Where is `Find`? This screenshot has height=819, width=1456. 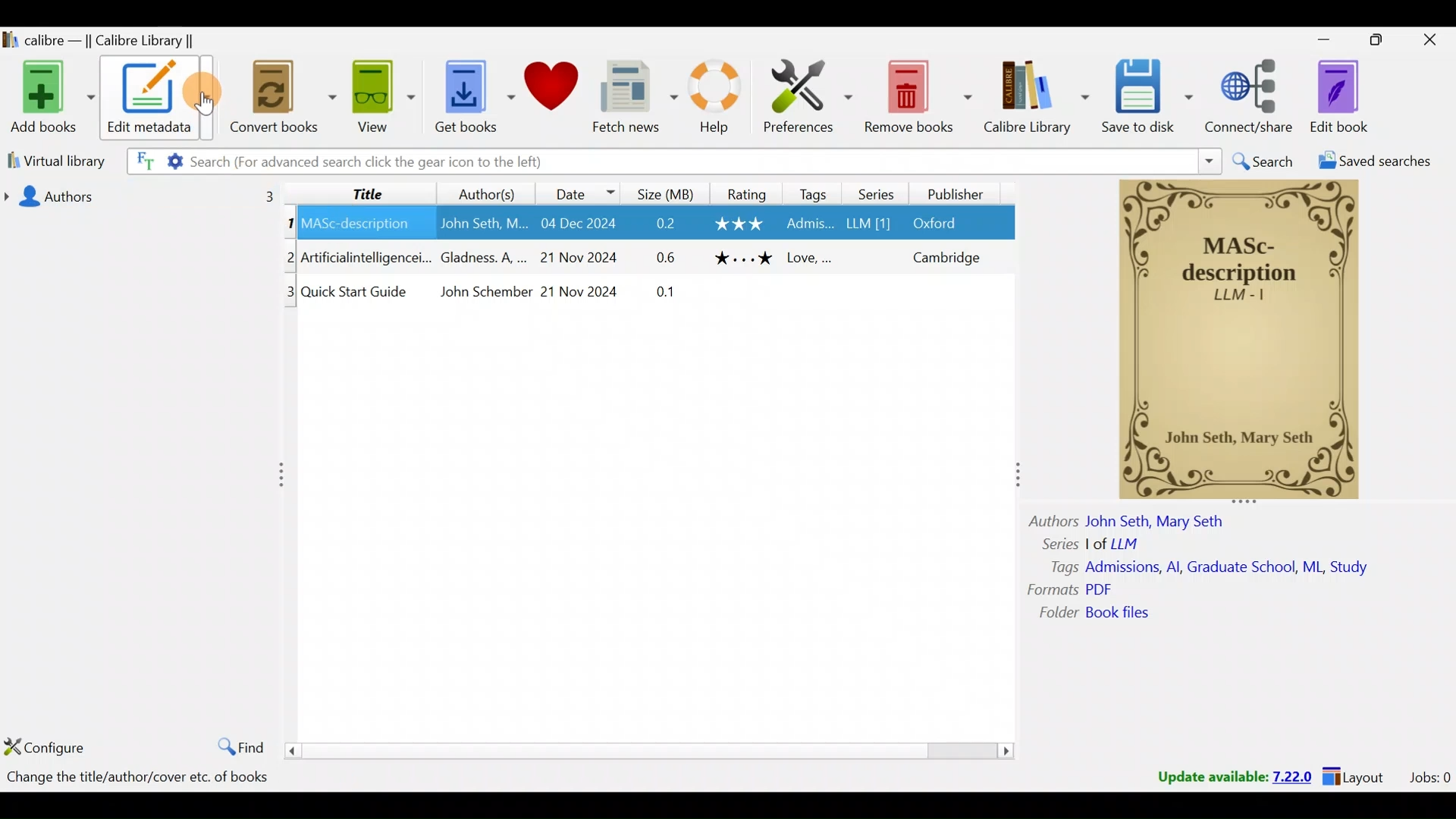
Find is located at coordinates (237, 745).